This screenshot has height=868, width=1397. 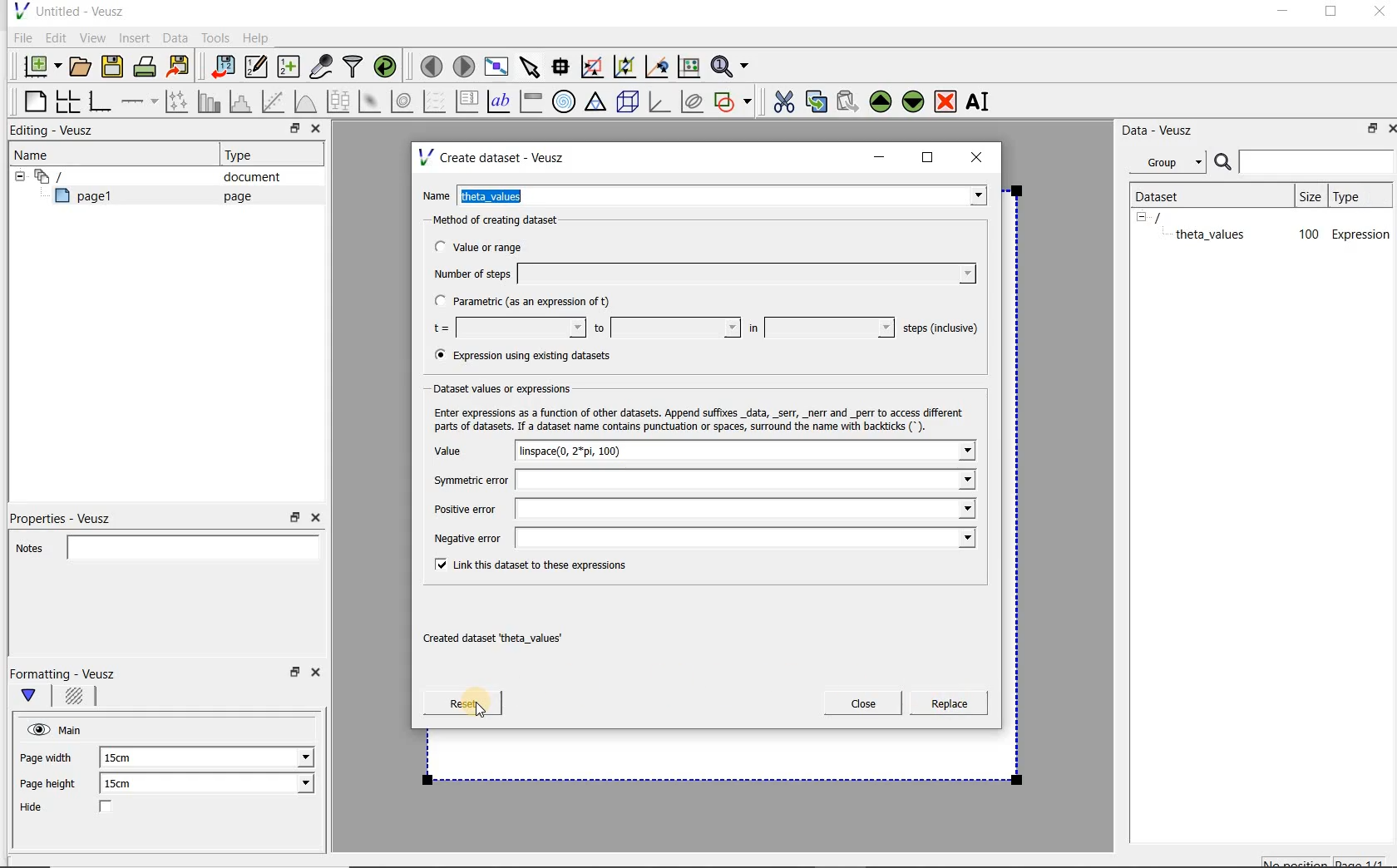 I want to click on Expression, so click(x=1361, y=234).